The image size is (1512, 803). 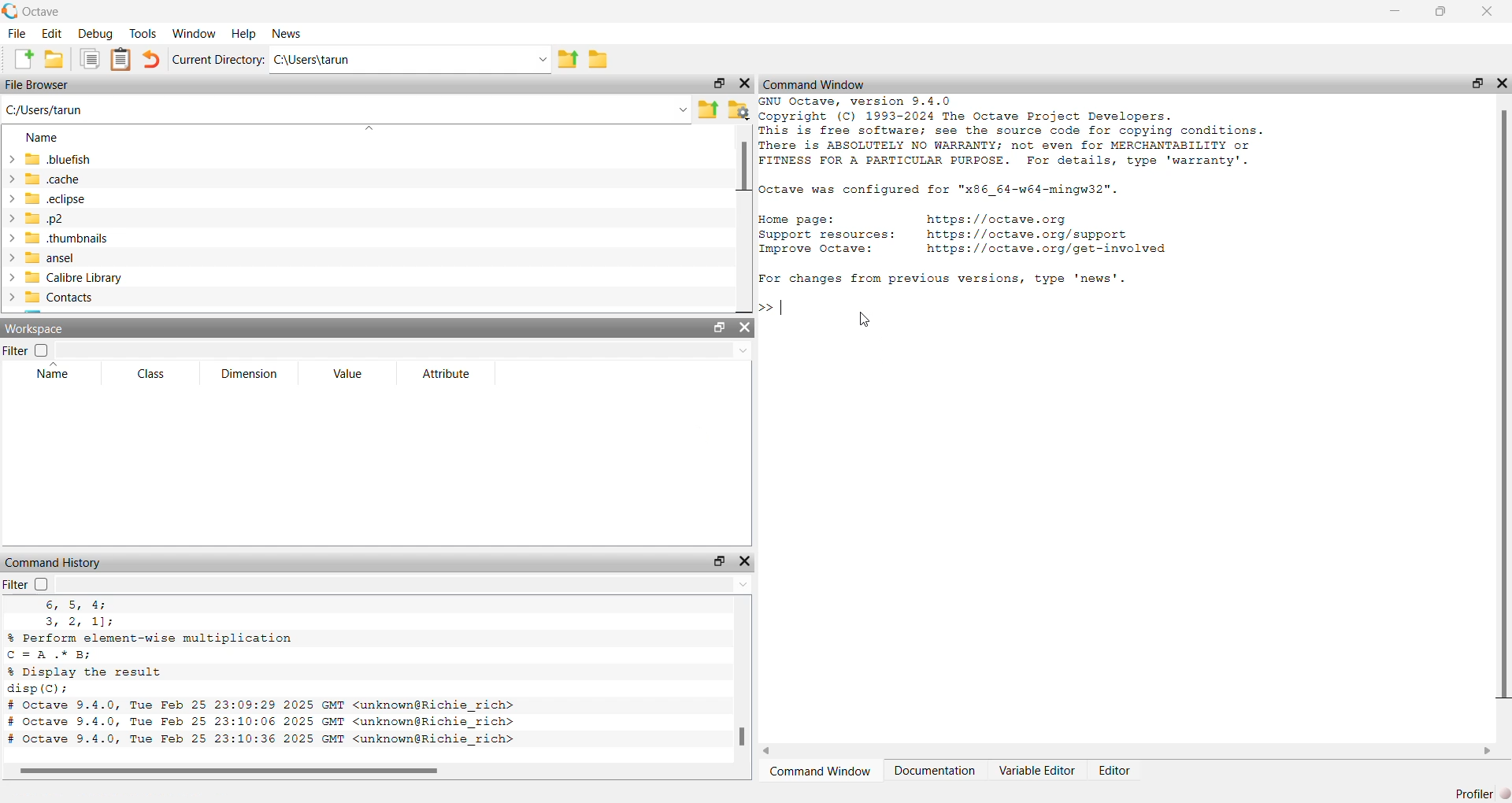 What do you see at coordinates (1489, 12) in the screenshot?
I see `Close` at bounding box center [1489, 12].